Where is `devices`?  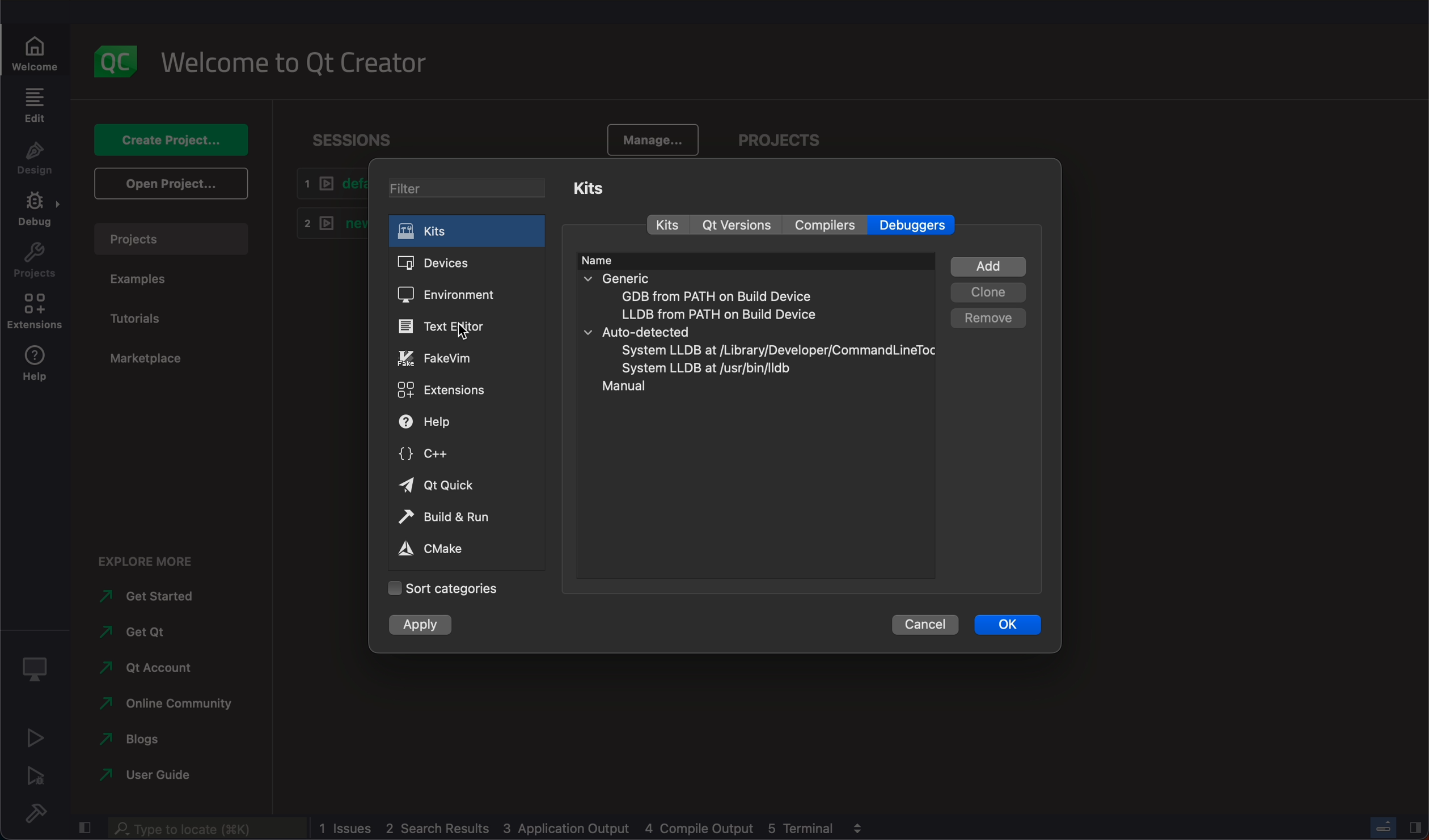
devices is located at coordinates (467, 264).